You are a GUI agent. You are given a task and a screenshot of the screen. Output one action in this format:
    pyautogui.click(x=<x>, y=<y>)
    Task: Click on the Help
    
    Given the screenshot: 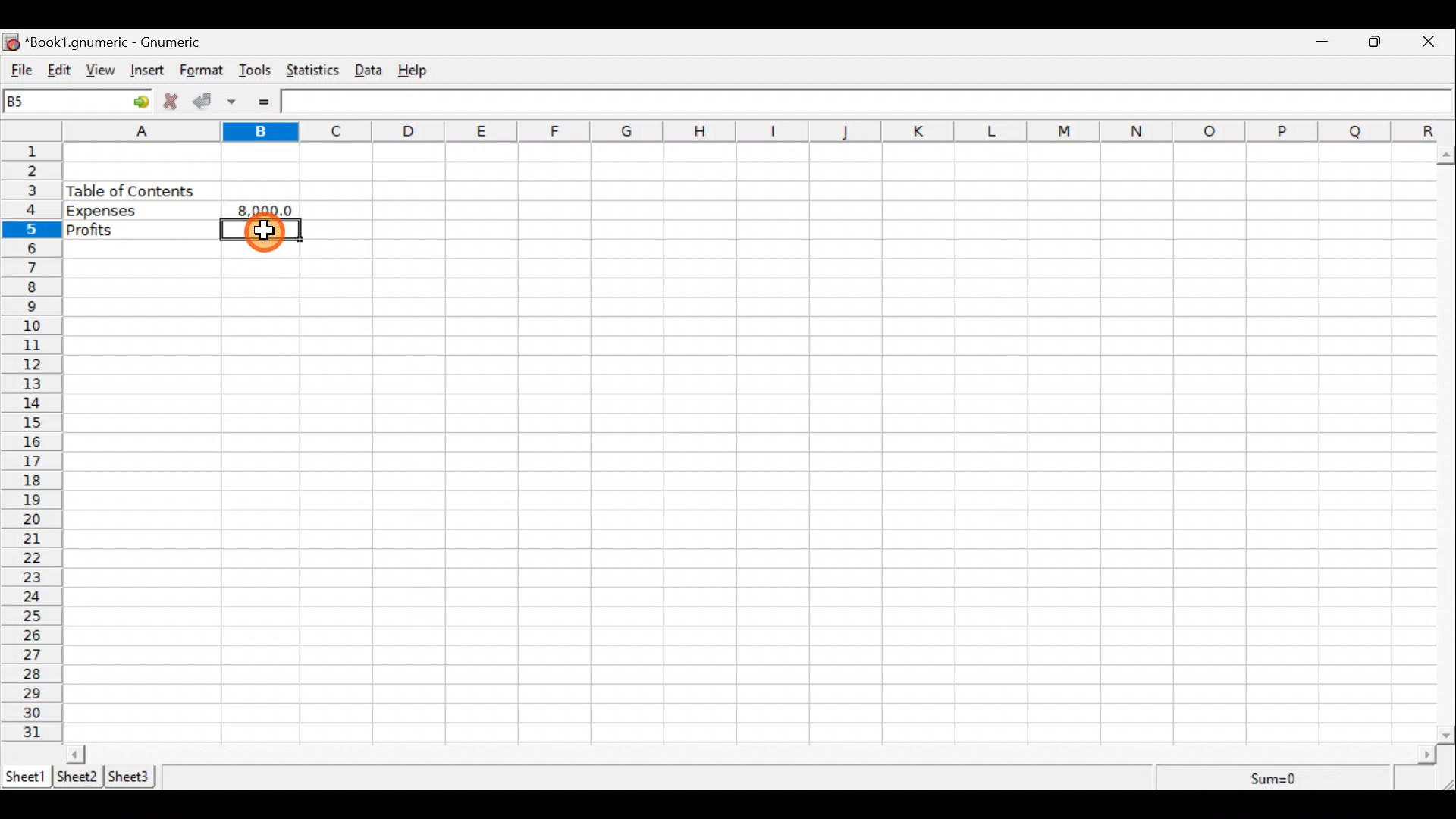 What is the action you would take?
    pyautogui.click(x=420, y=71)
    